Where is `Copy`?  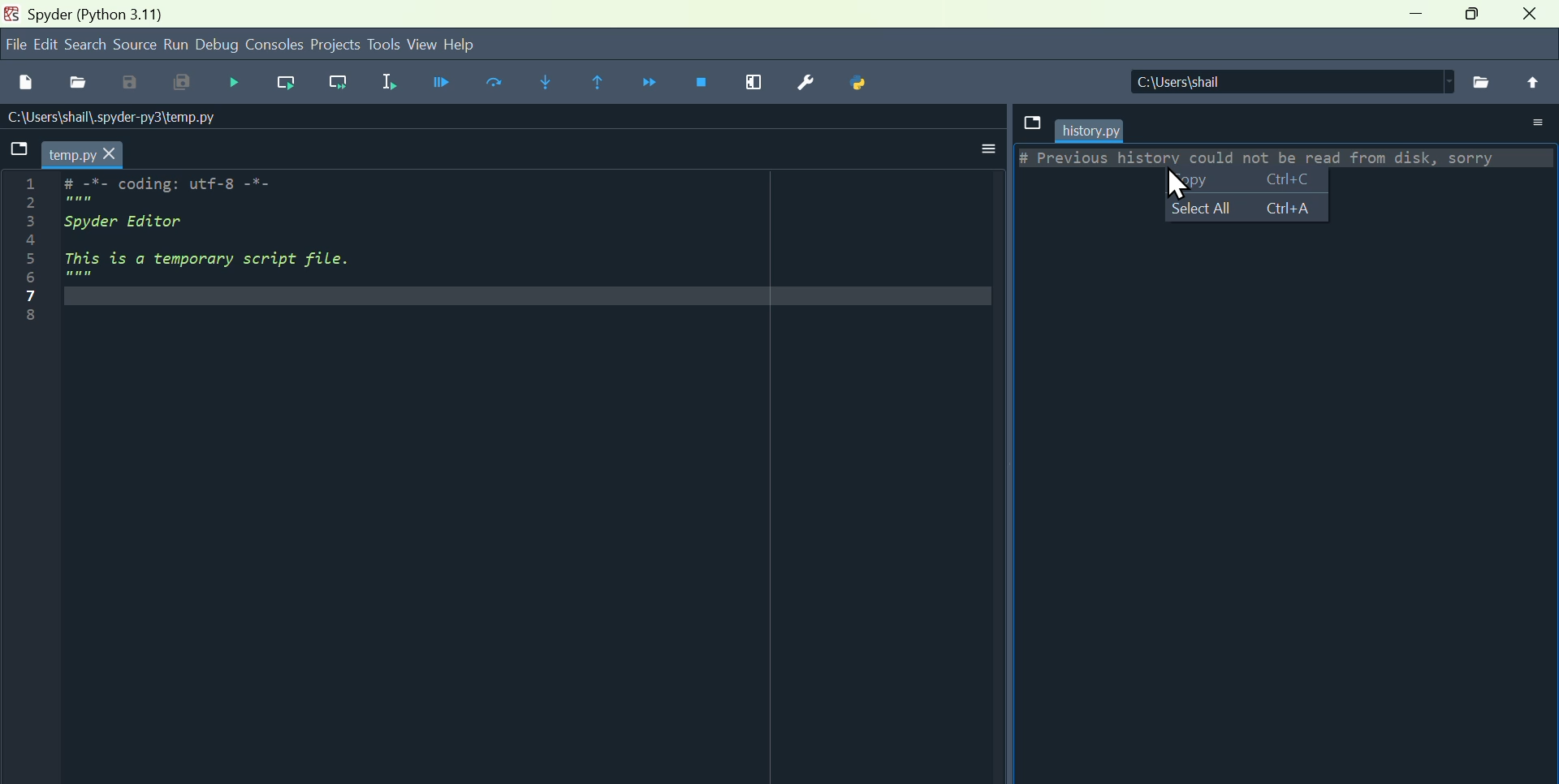
Copy is located at coordinates (1245, 179).